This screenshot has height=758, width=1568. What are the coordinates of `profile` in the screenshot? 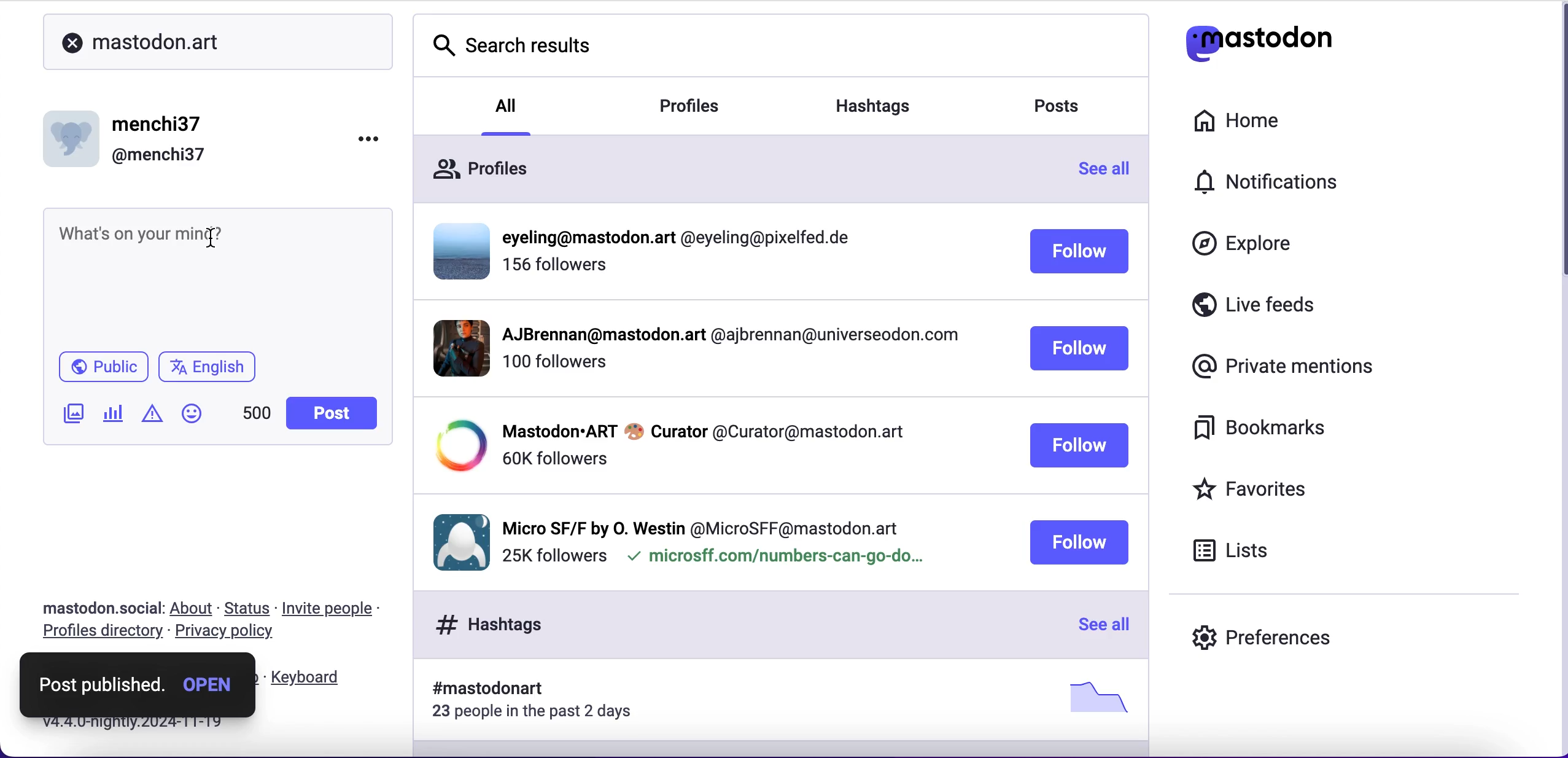 It's located at (728, 338).